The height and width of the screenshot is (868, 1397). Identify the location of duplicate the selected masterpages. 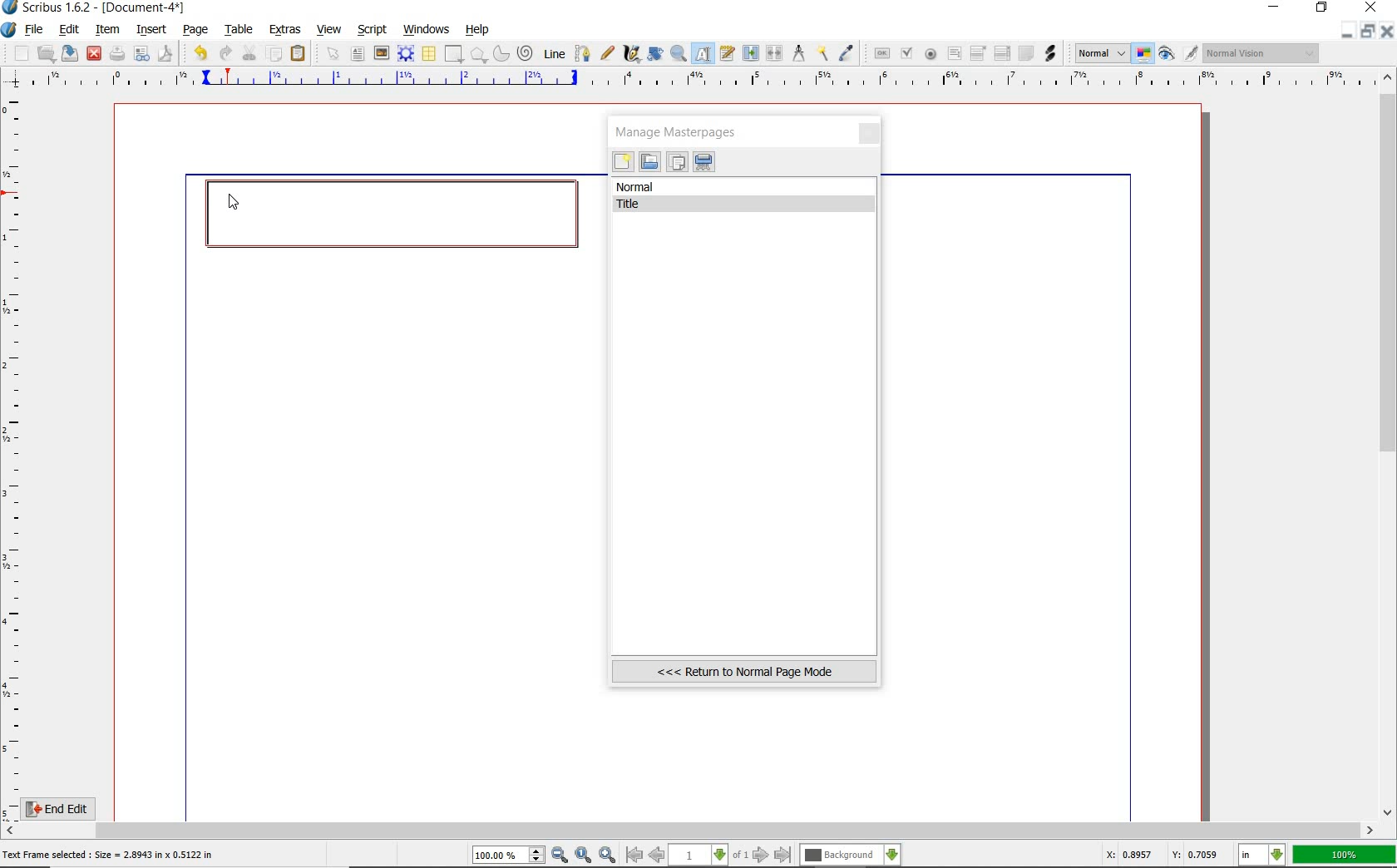
(677, 164).